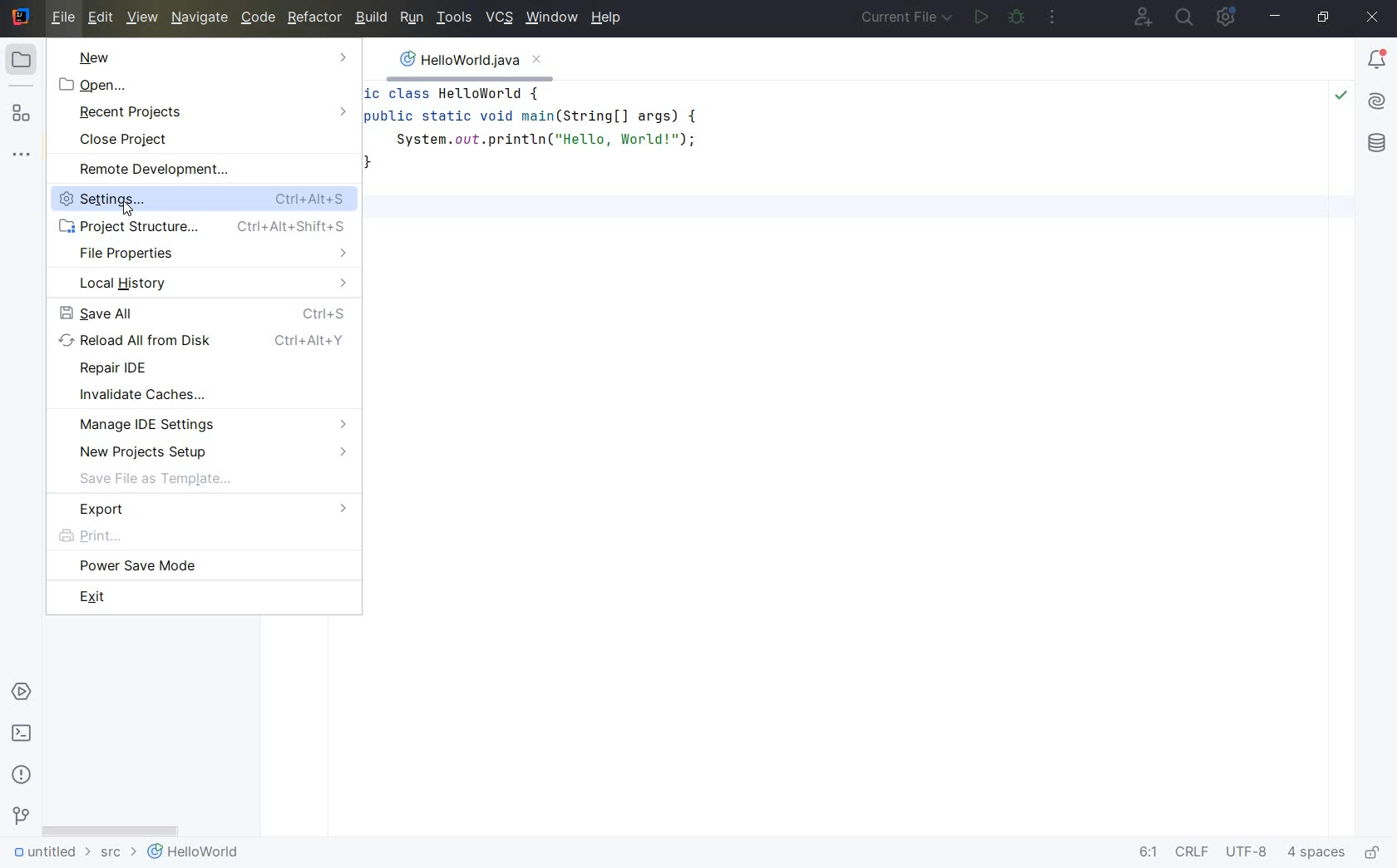 This screenshot has width=1397, height=868. Describe the element at coordinates (501, 18) in the screenshot. I see `VCS` at that location.